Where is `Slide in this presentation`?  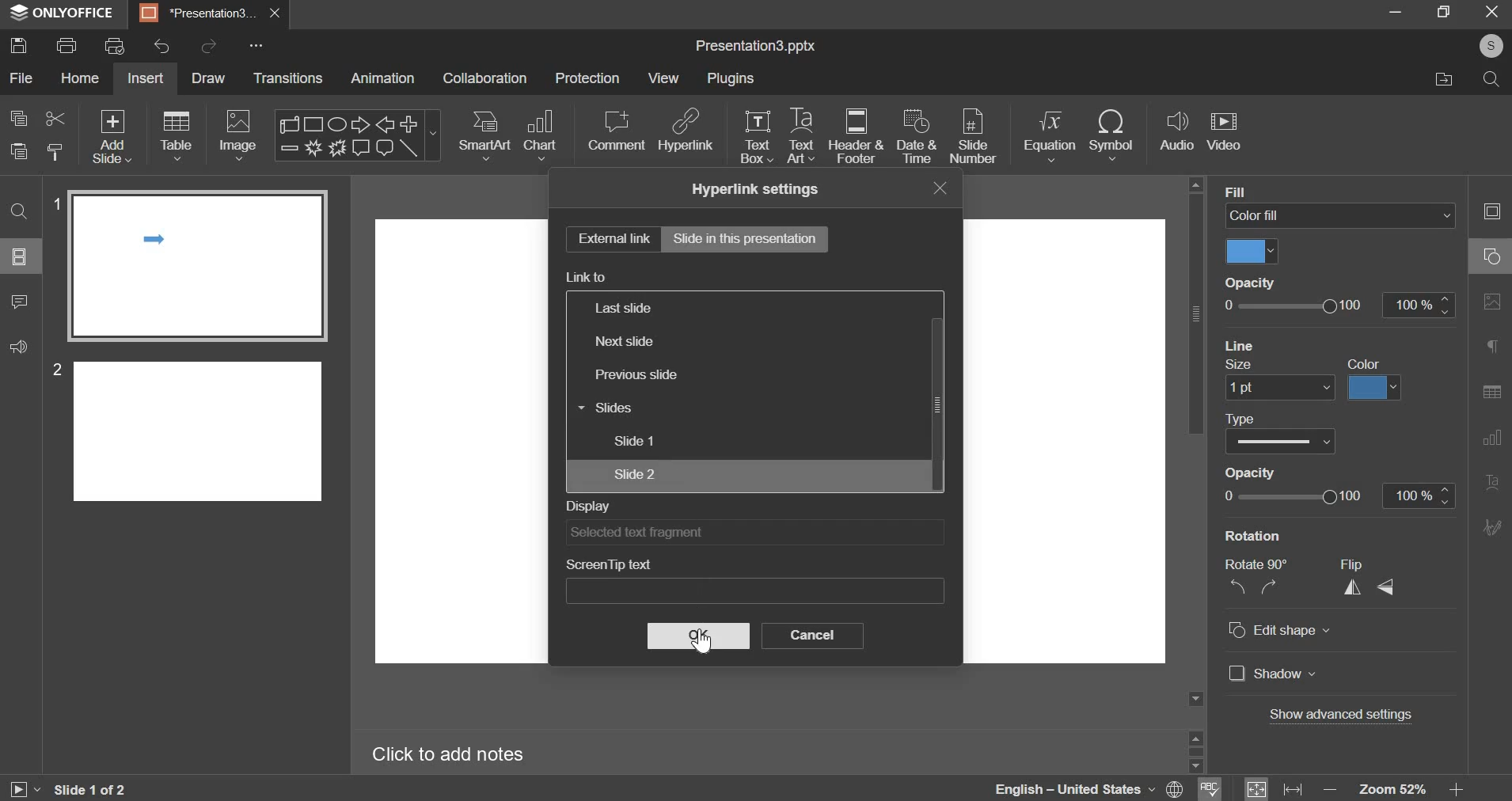 Slide in this presentation is located at coordinates (750, 241).